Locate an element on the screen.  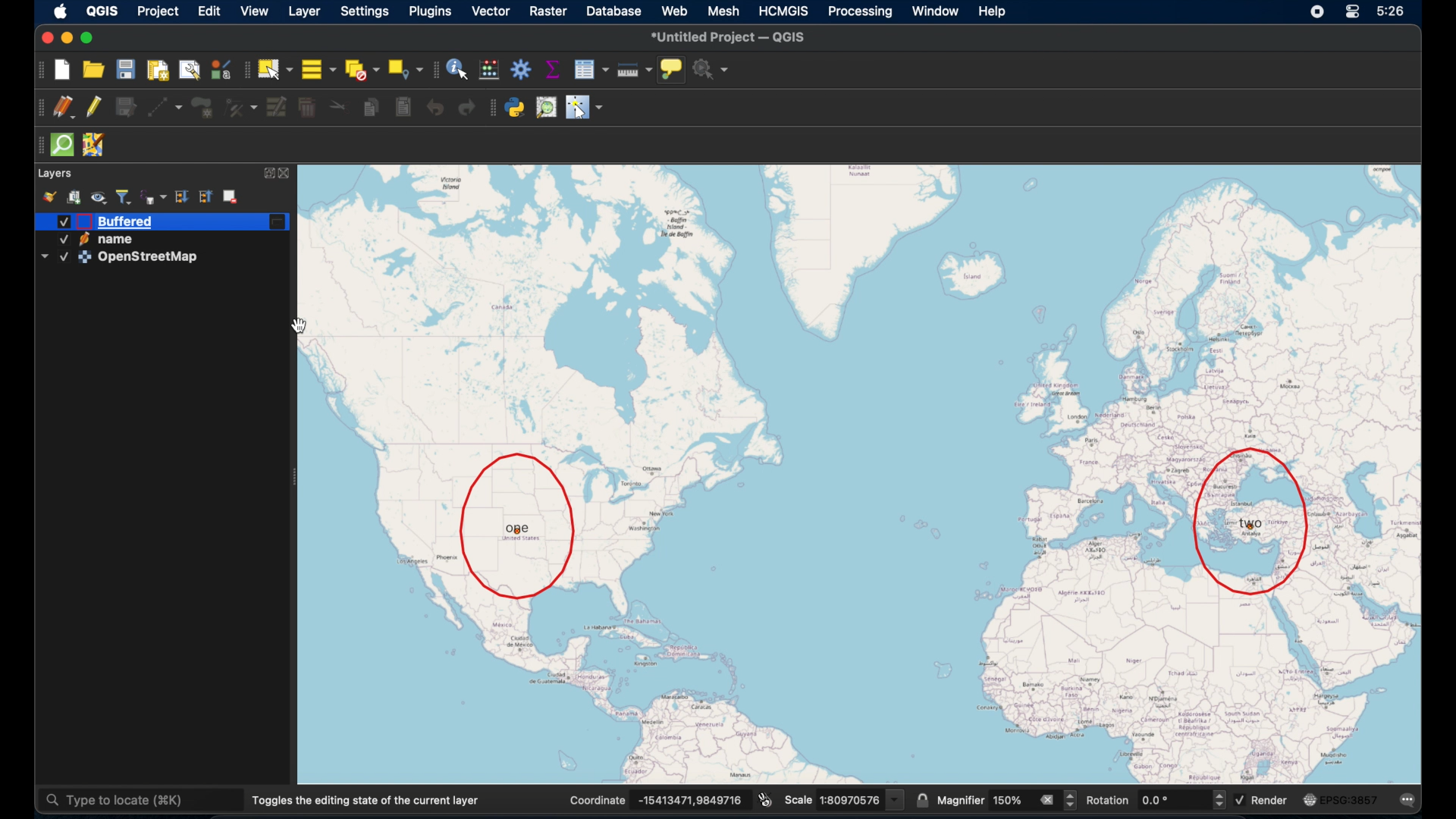
project toolbar is located at coordinates (38, 69).